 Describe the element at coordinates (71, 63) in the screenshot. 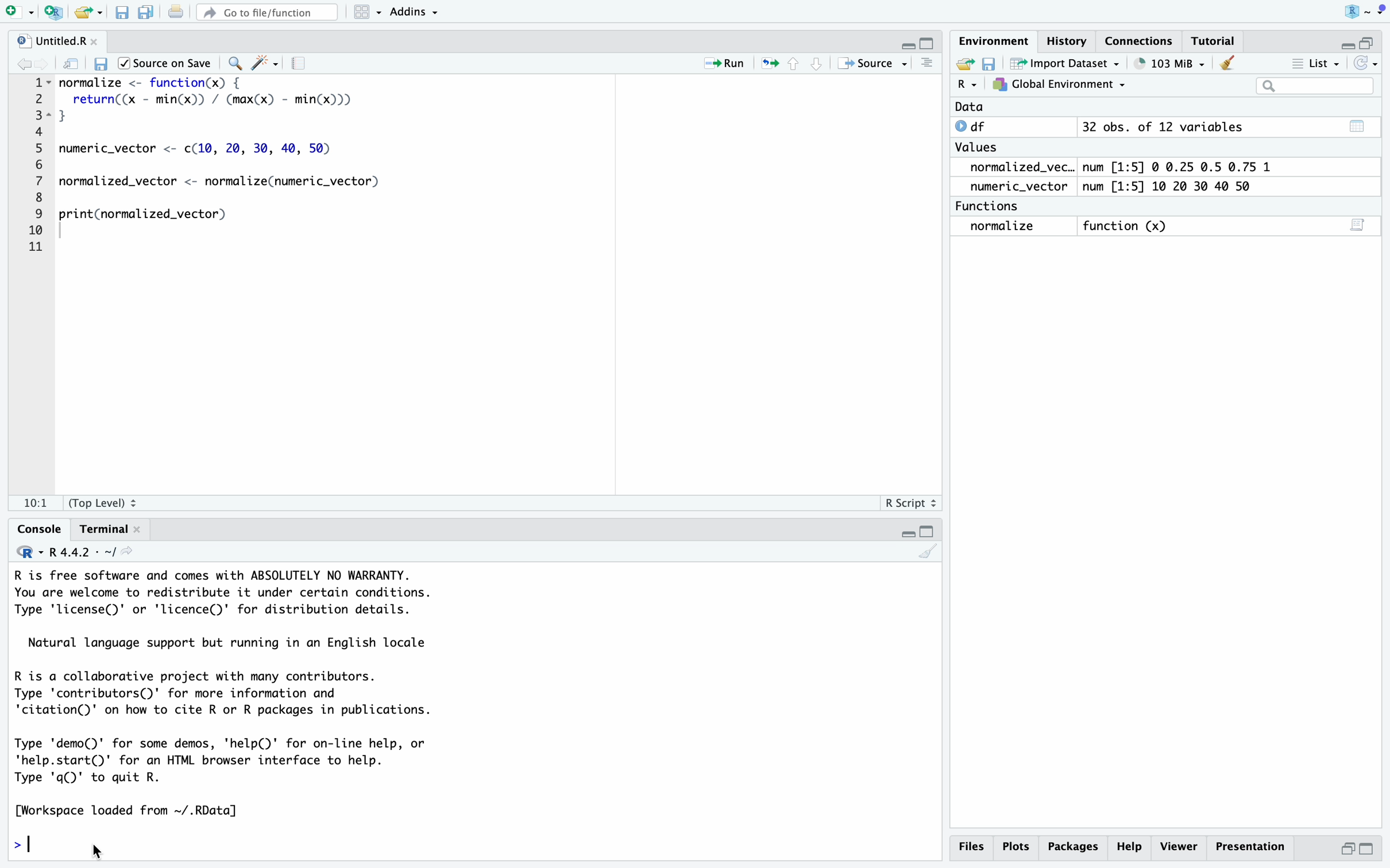

I see `Show in new window` at that location.